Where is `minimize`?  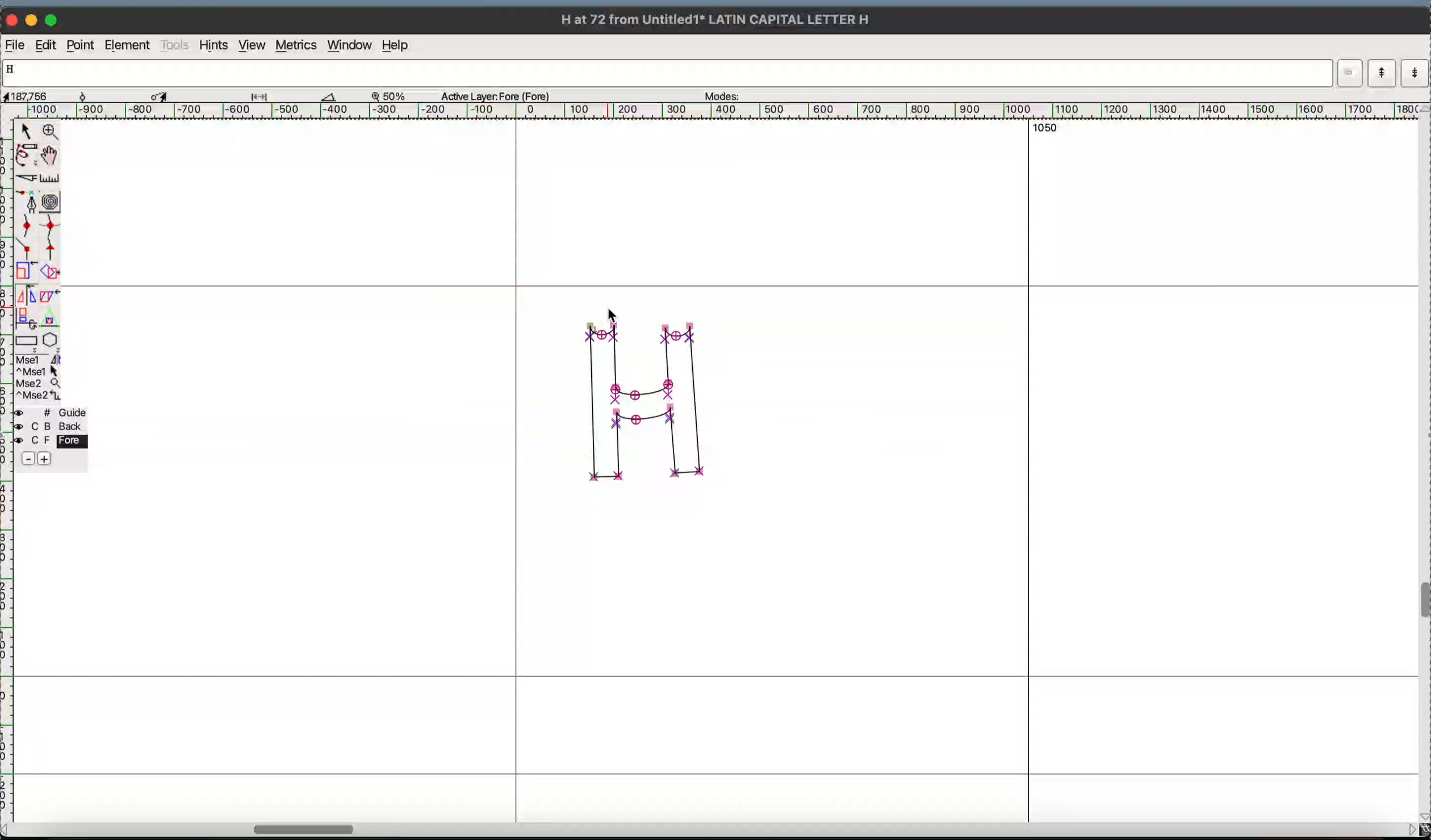
minimize is located at coordinates (34, 19).